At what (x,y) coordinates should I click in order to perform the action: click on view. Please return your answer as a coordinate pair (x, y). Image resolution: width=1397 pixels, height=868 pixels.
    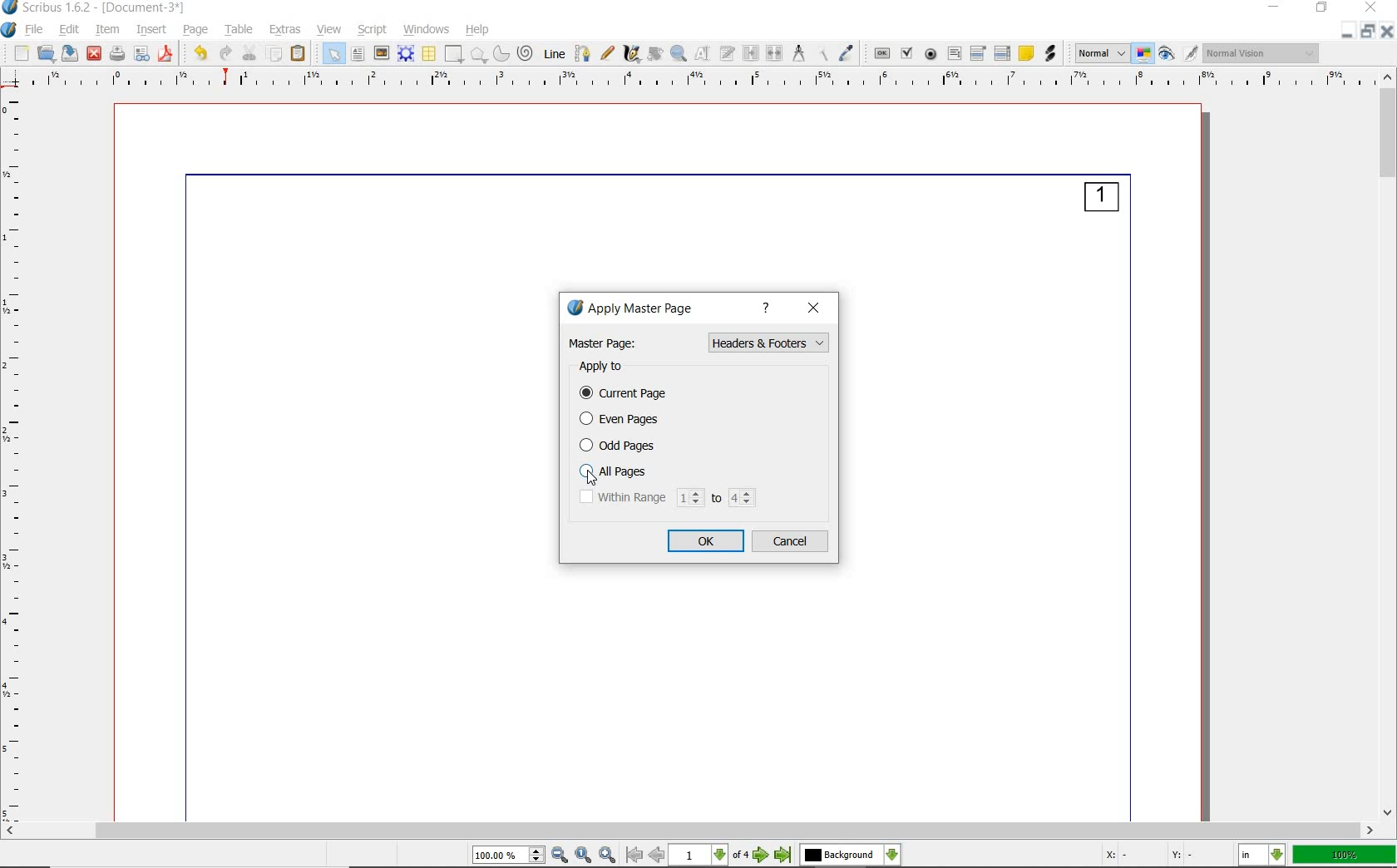
    Looking at the image, I should click on (329, 28).